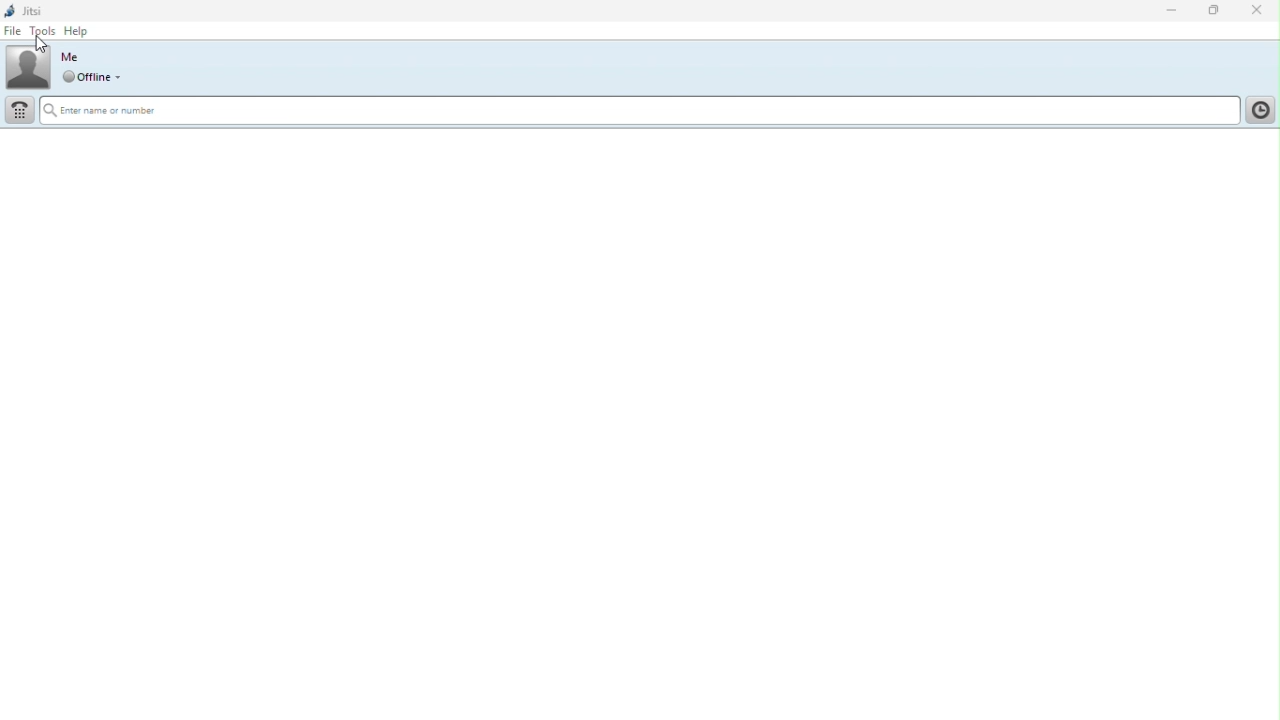  What do you see at coordinates (1176, 12) in the screenshot?
I see `Minimise` at bounding box center [1176, 12].